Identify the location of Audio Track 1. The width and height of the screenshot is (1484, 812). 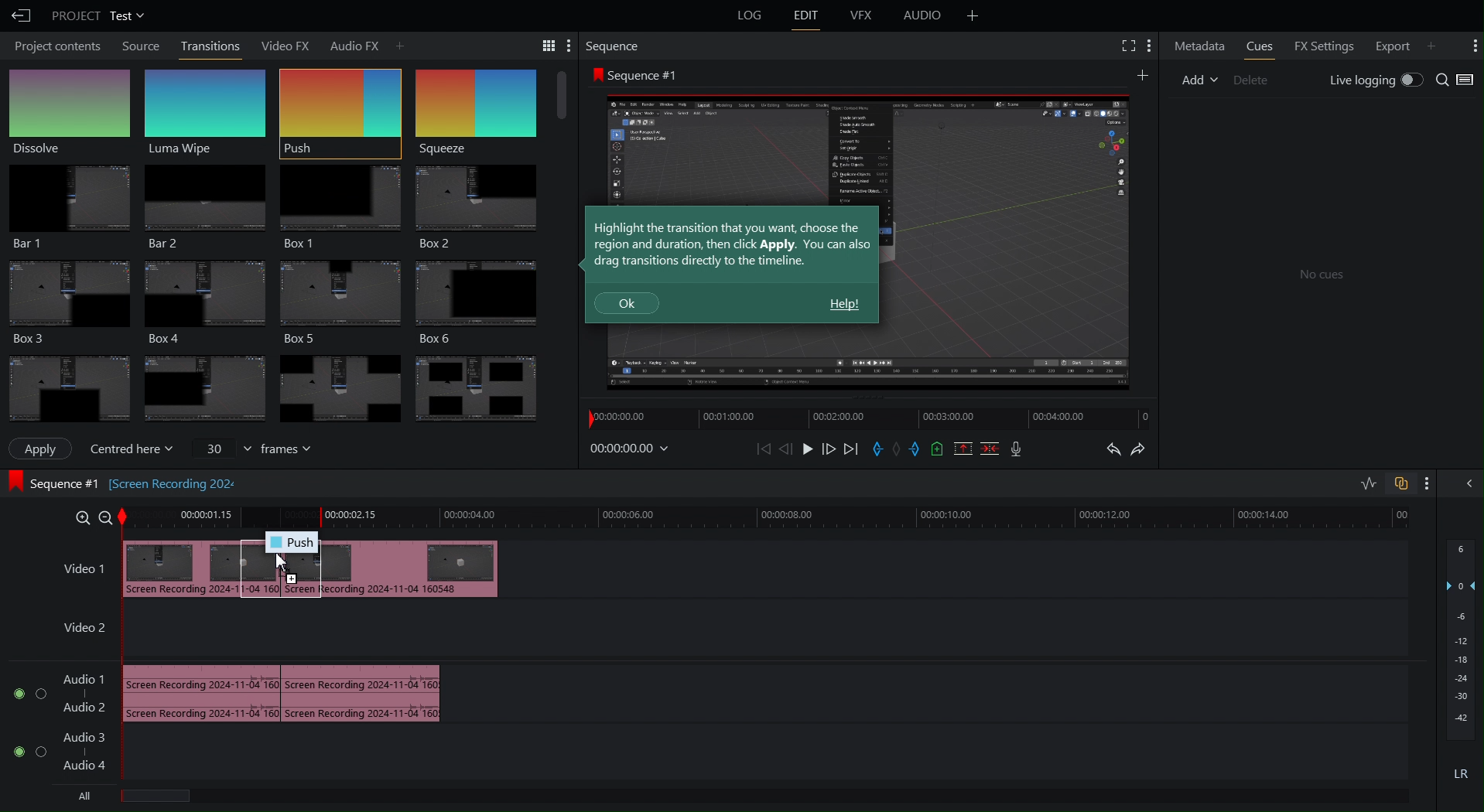
(84, 676).